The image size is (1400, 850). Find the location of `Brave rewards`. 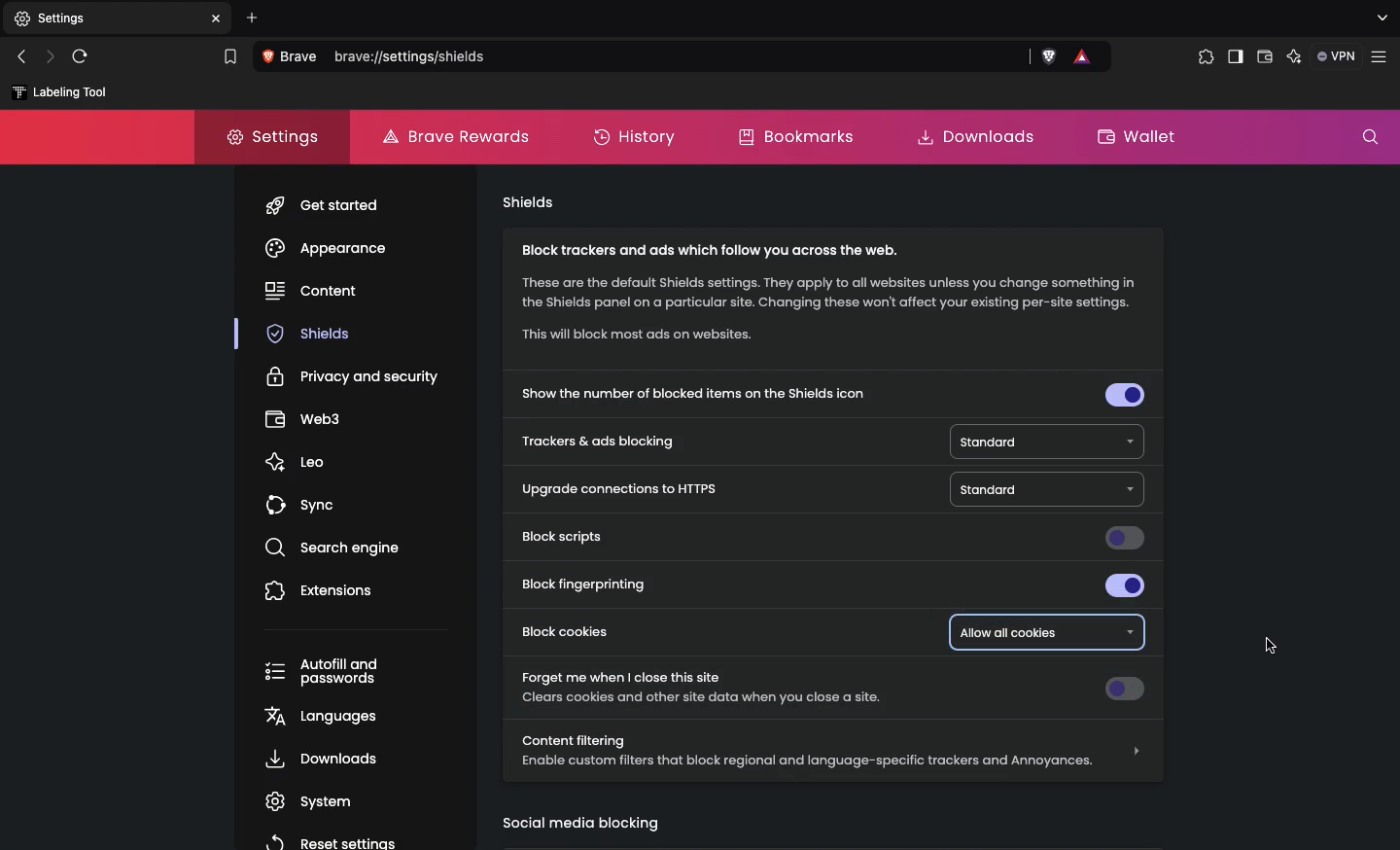

Brave rewards is located at coordinates (456, 136).